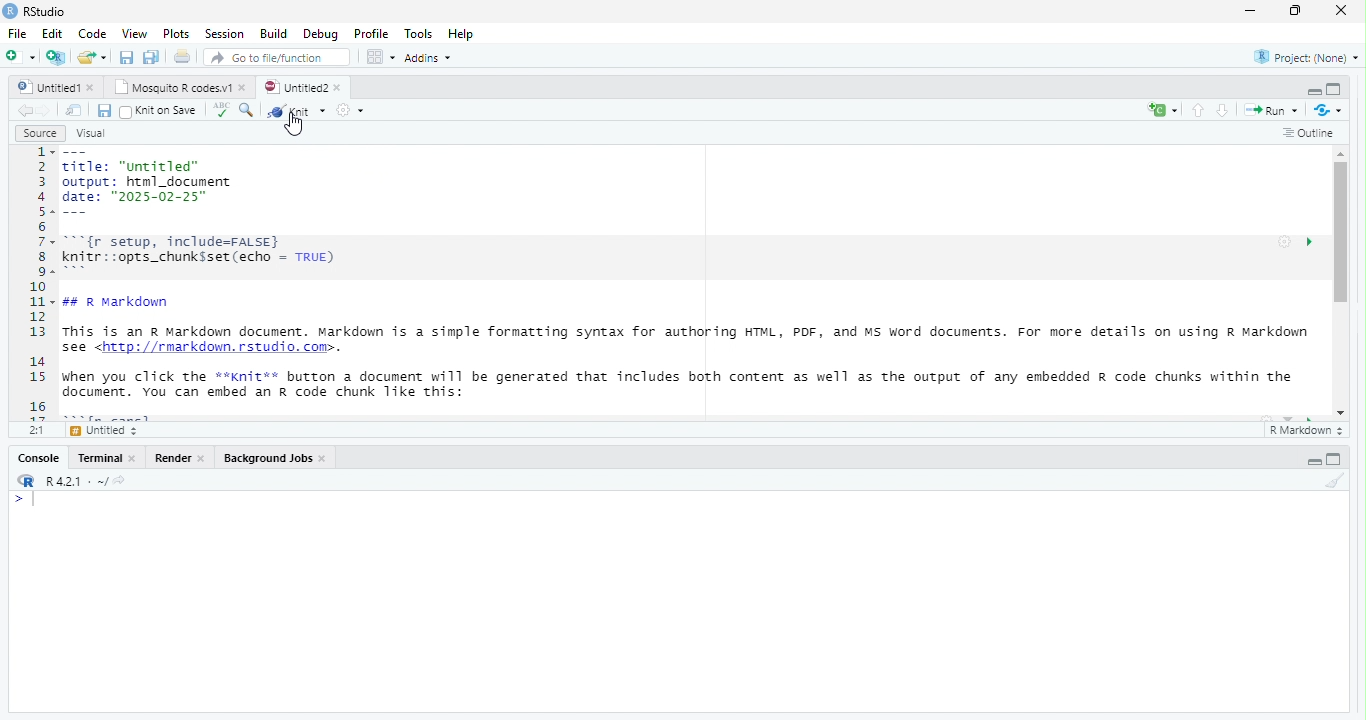  What do you see at coordinates (1275, 111) in the screenshot?
I see `Run` at bounding box center [1275, 111].